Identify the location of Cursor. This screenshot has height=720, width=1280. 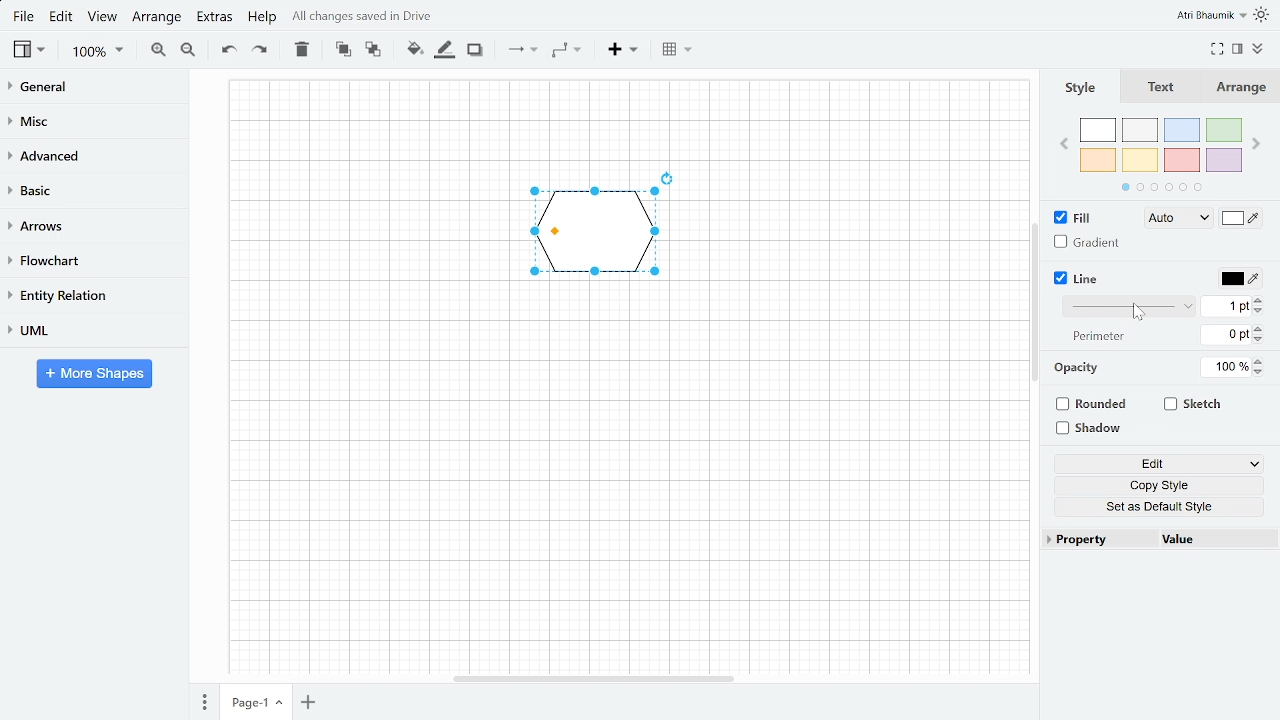
(1139, 312).